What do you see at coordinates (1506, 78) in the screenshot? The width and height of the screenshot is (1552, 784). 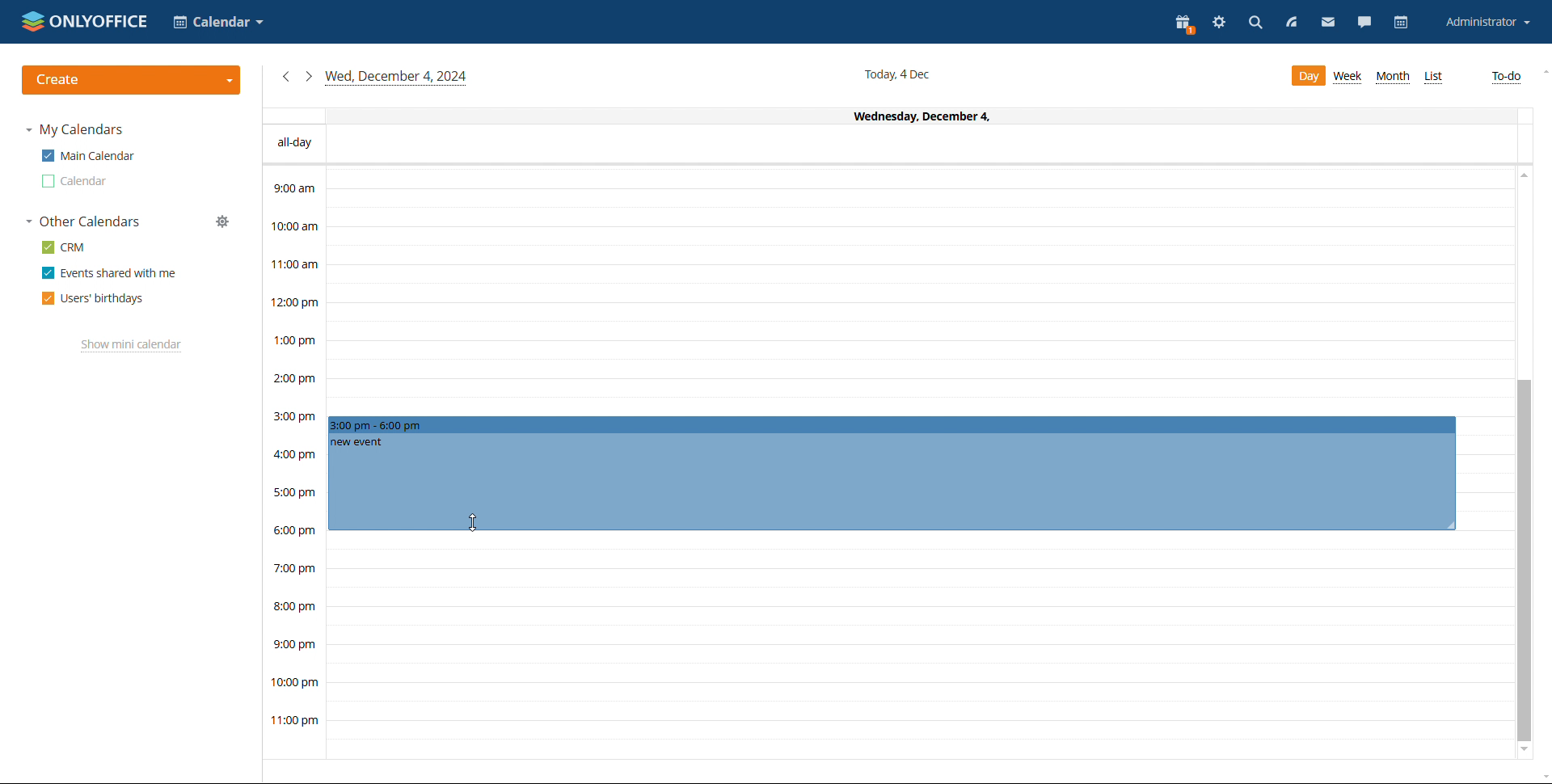 I see `to-do` at bounding box center [1506, 78].